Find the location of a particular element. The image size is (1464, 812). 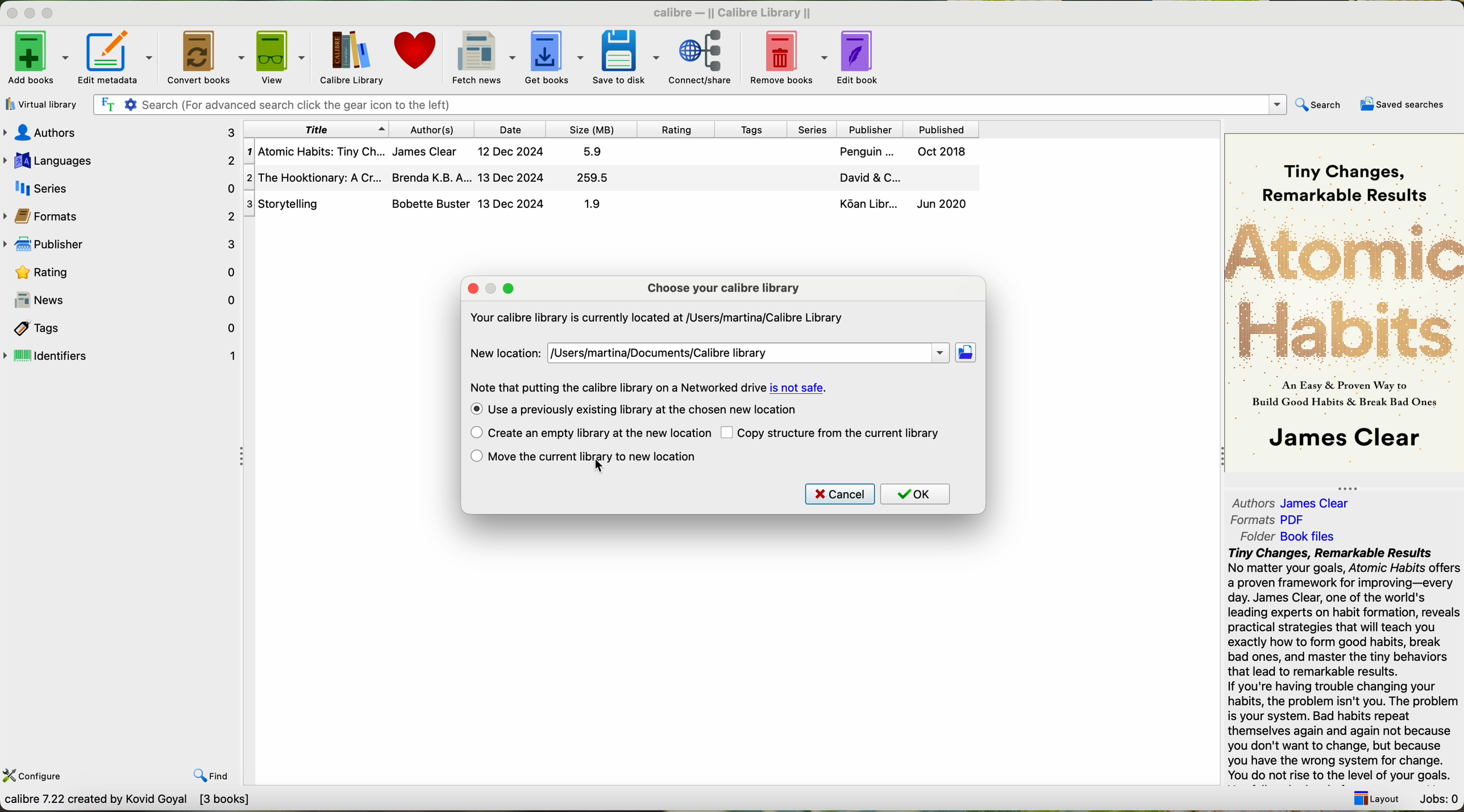

get books is located at coordinates (554, 55).